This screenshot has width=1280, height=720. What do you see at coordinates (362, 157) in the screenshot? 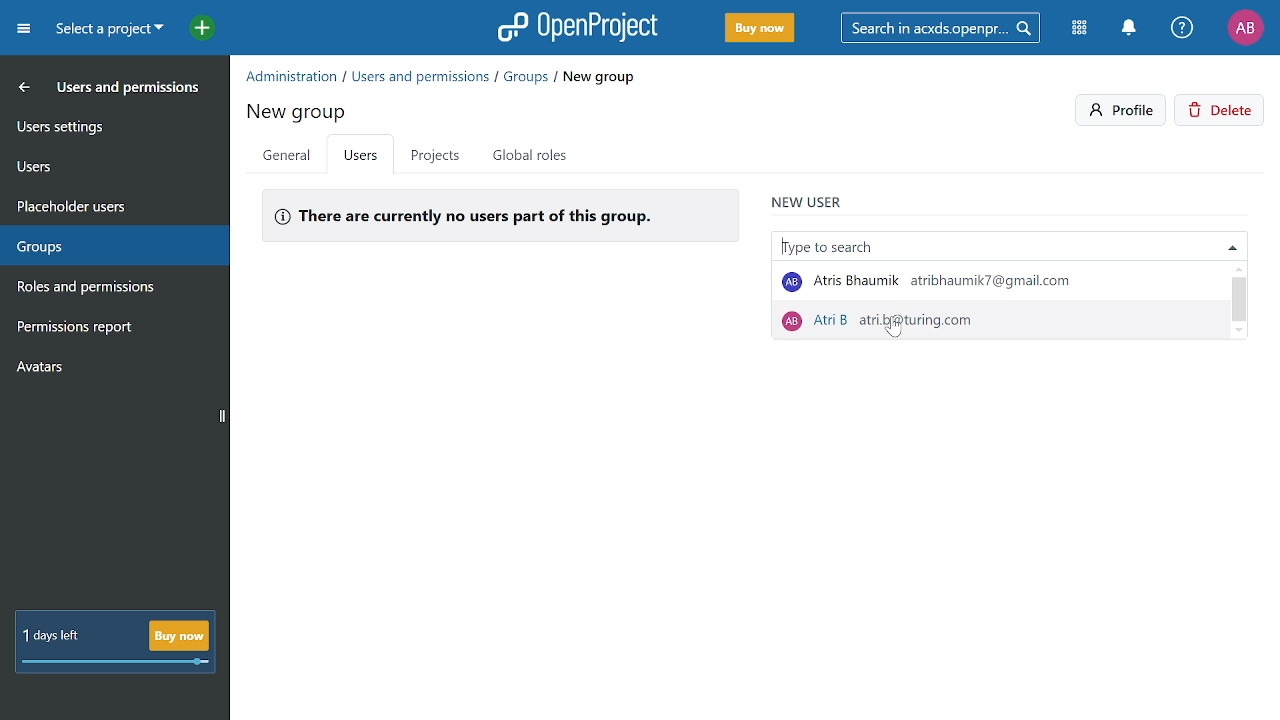
I see `Users` at bounding box center [362, 157].